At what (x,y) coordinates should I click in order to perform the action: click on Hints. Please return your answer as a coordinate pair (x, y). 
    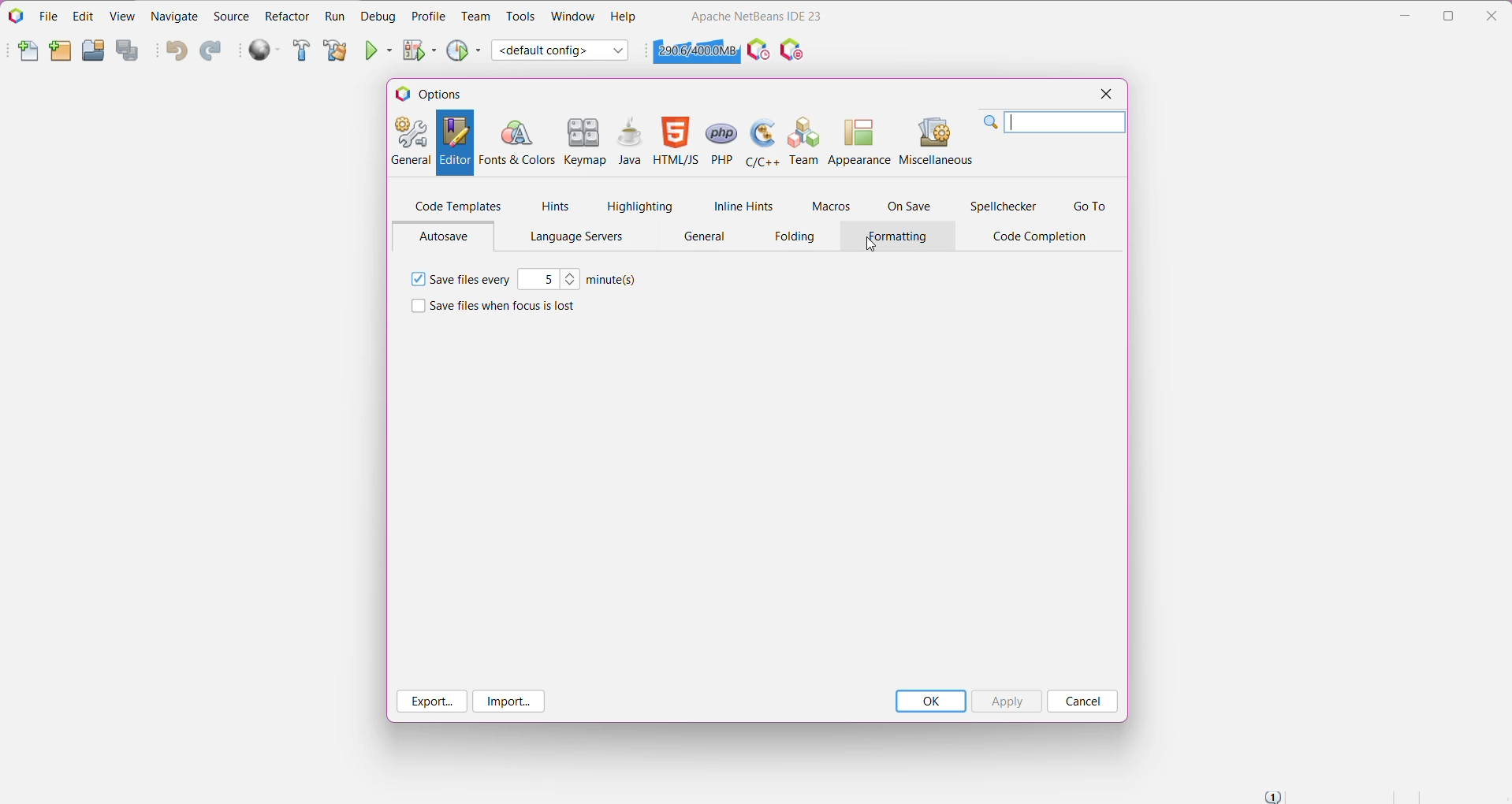
    Looking at the image, I should click on (556, 207).